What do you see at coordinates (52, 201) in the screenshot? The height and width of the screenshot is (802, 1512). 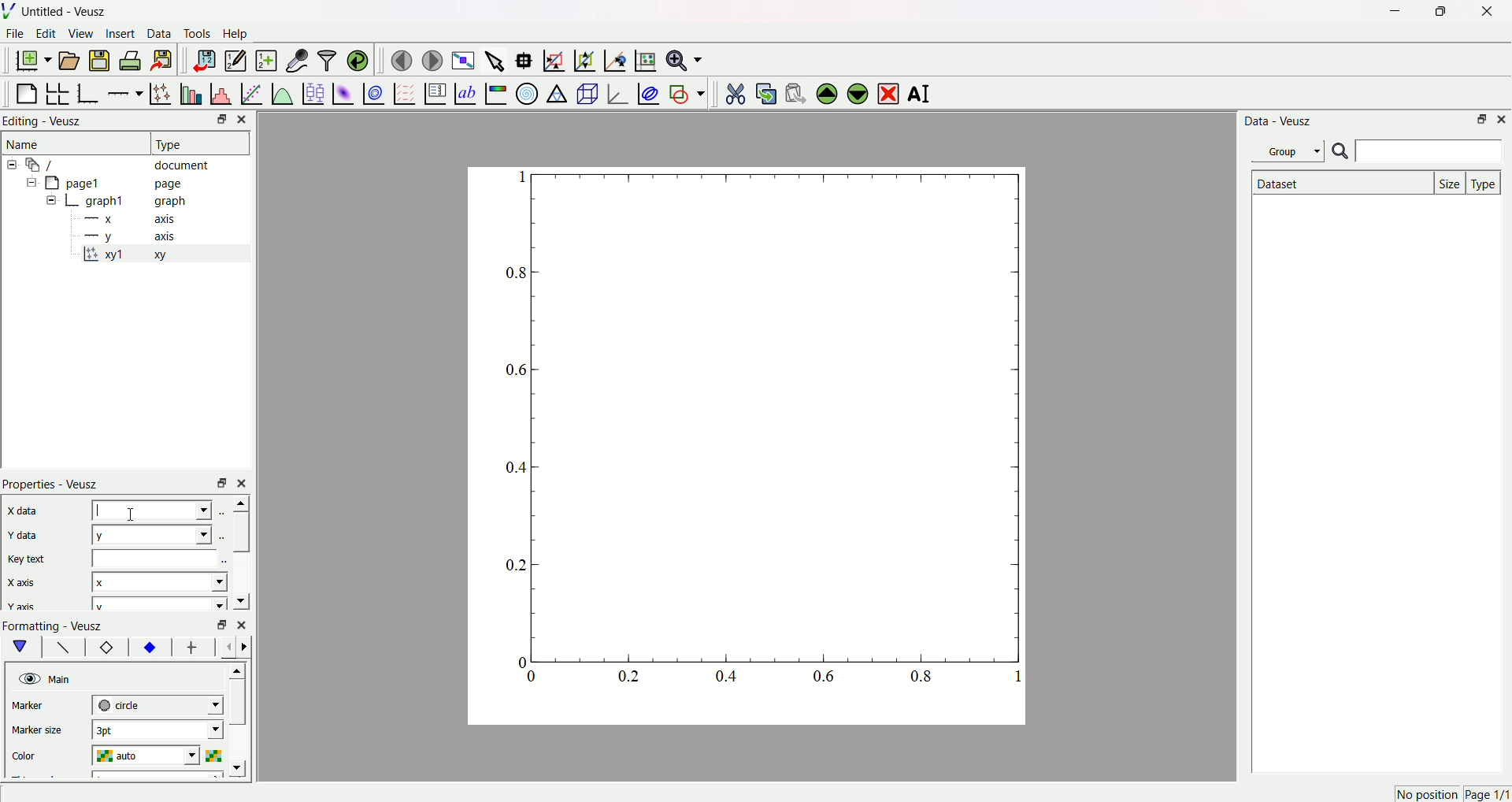 I see `expand` at bounding box center [52, 201].